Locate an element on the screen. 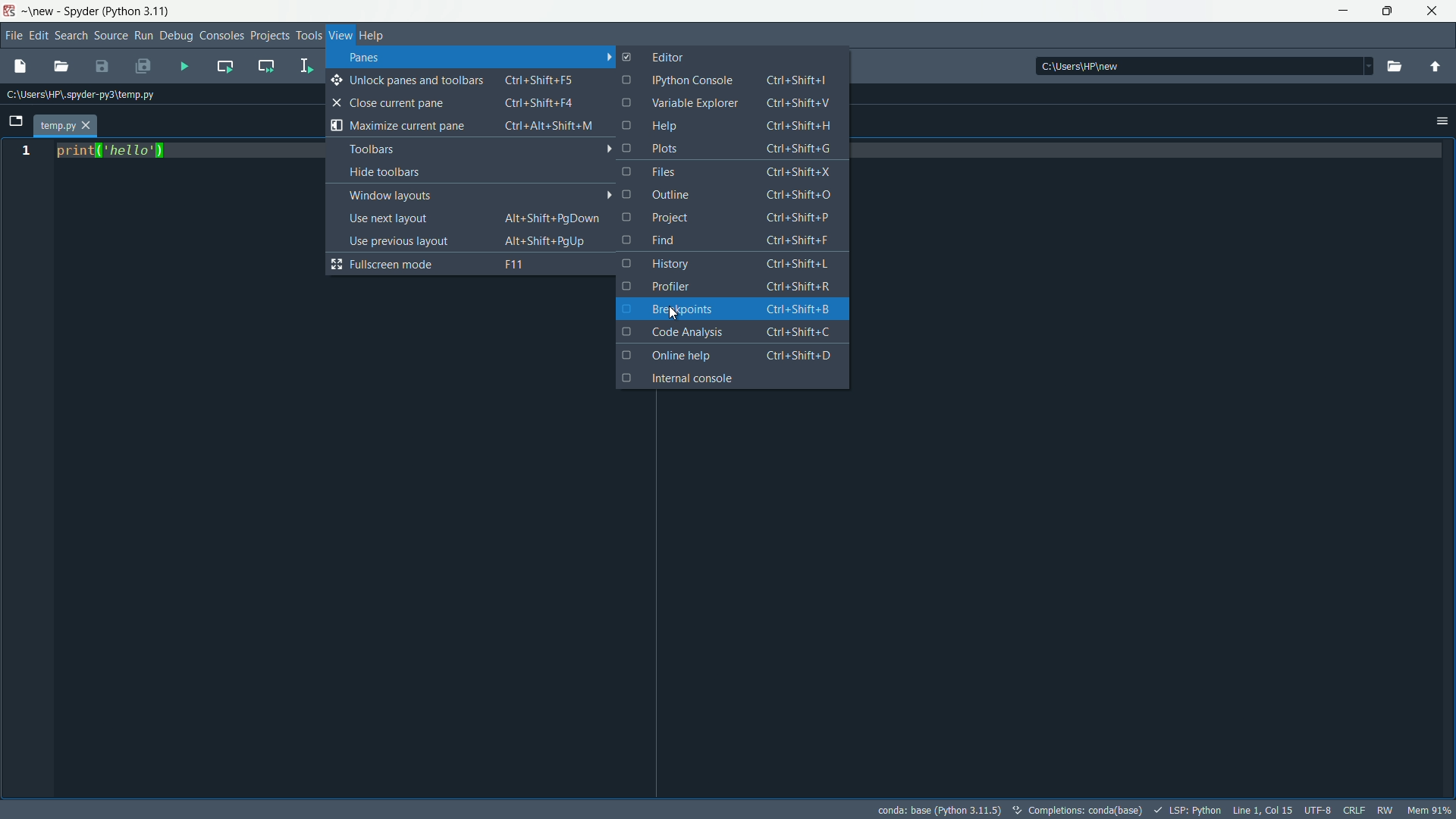 The height and width of the screenshot is (819, 1456). conda: base (python 3.11.5) is located at coordinates (940, 810).